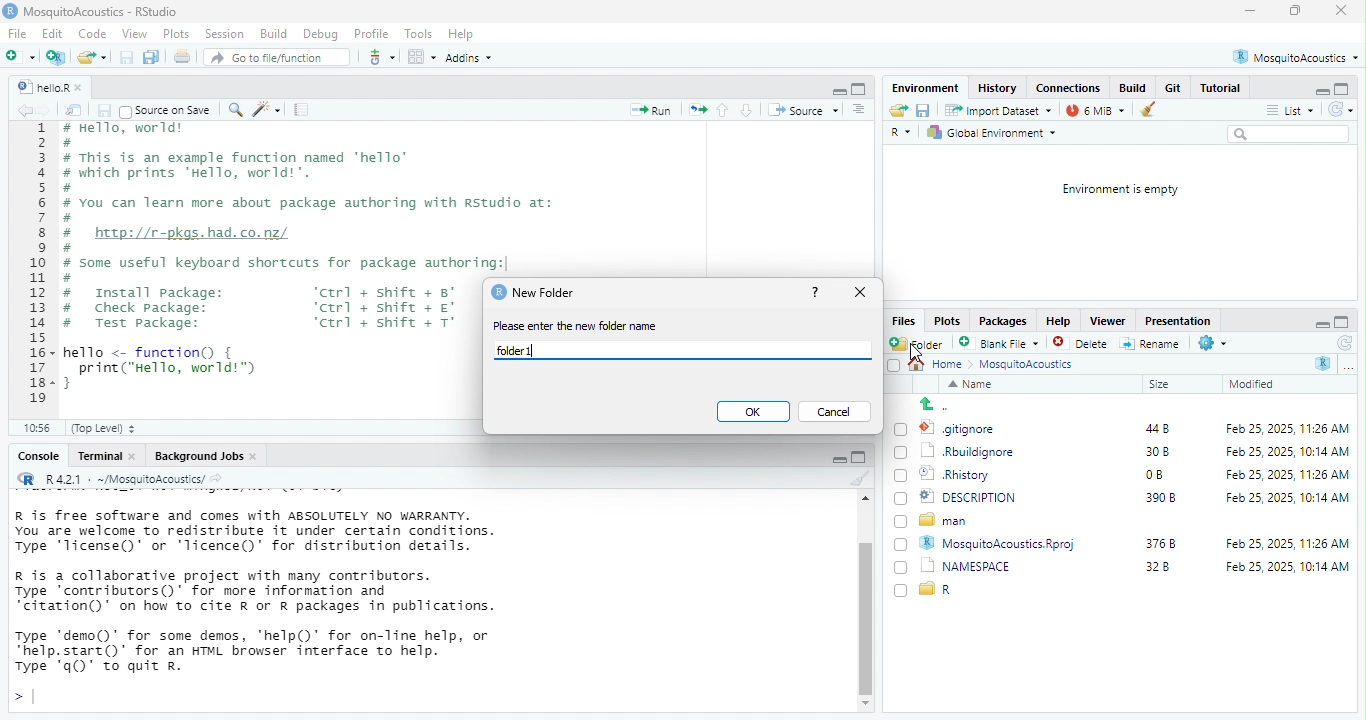 The height and width of the screenshot is (720, 1366). I want to click on home, so click(952, 365).